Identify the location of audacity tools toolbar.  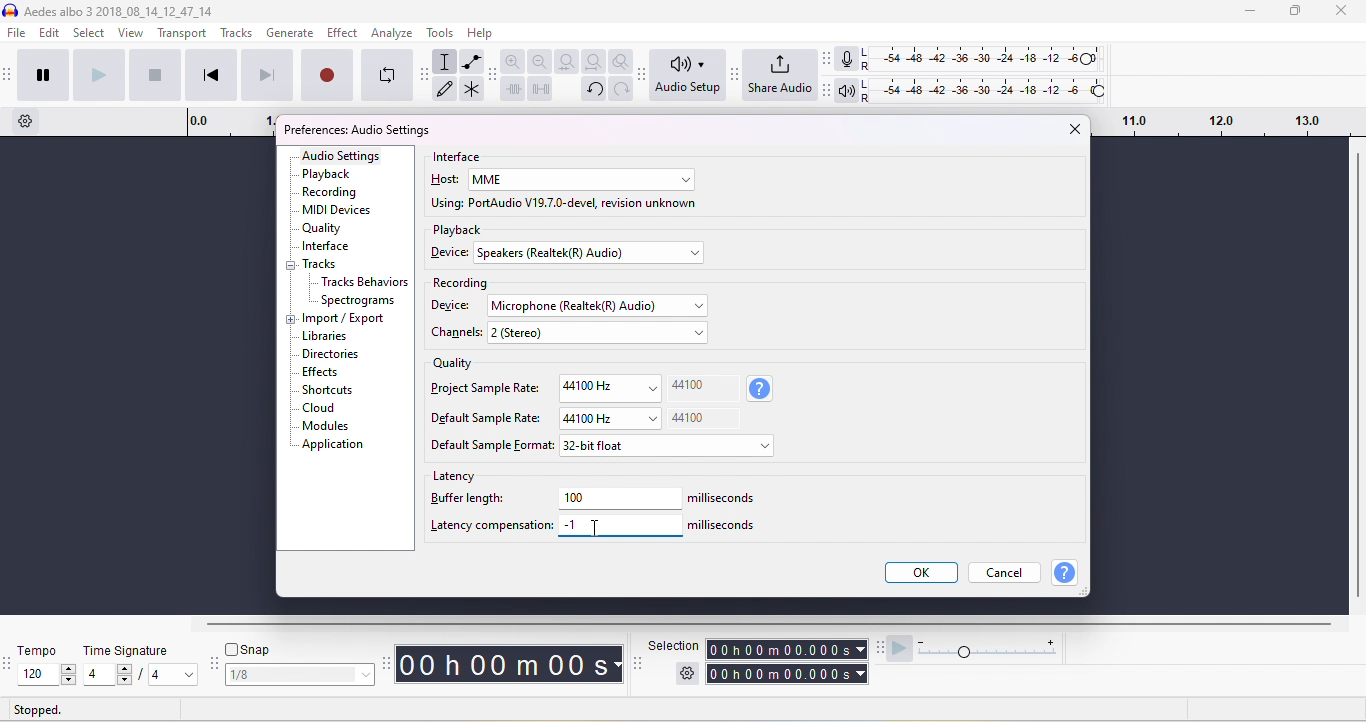
(427, 74).